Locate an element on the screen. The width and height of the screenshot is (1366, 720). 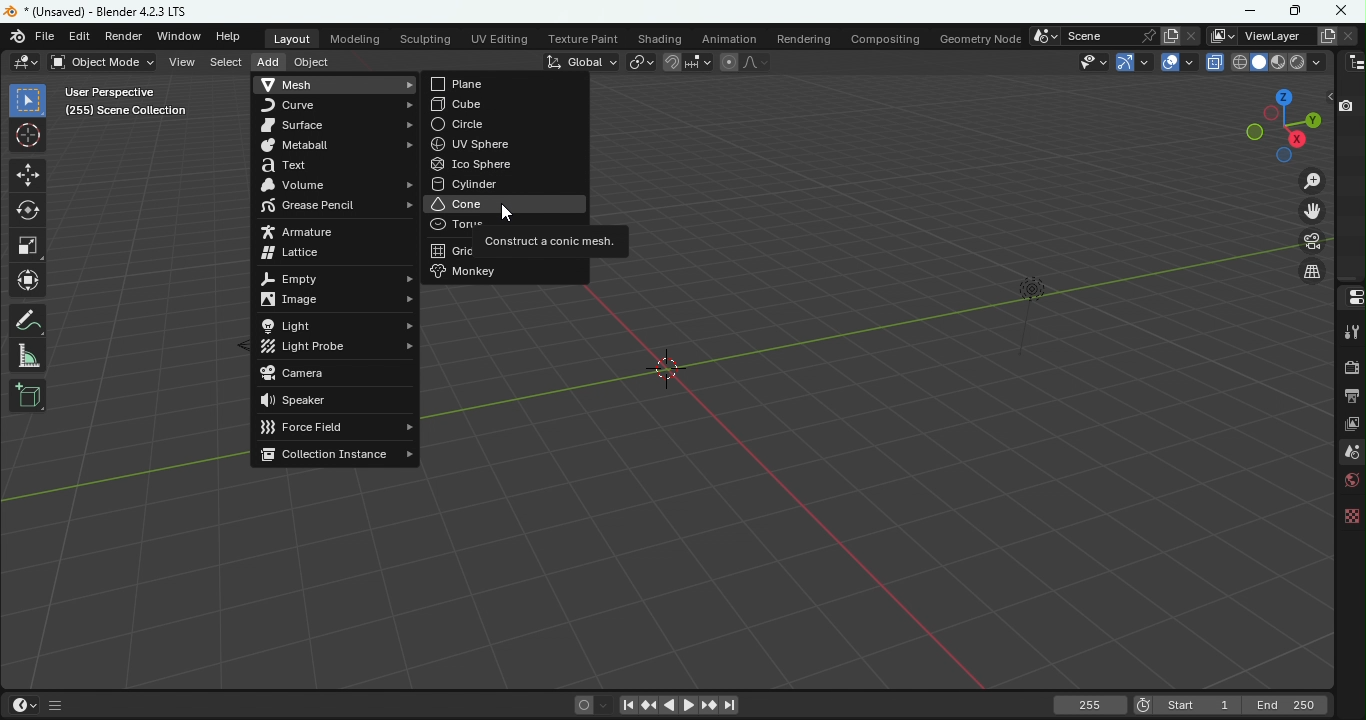
Collection instance is located at coordinates (334, 454).